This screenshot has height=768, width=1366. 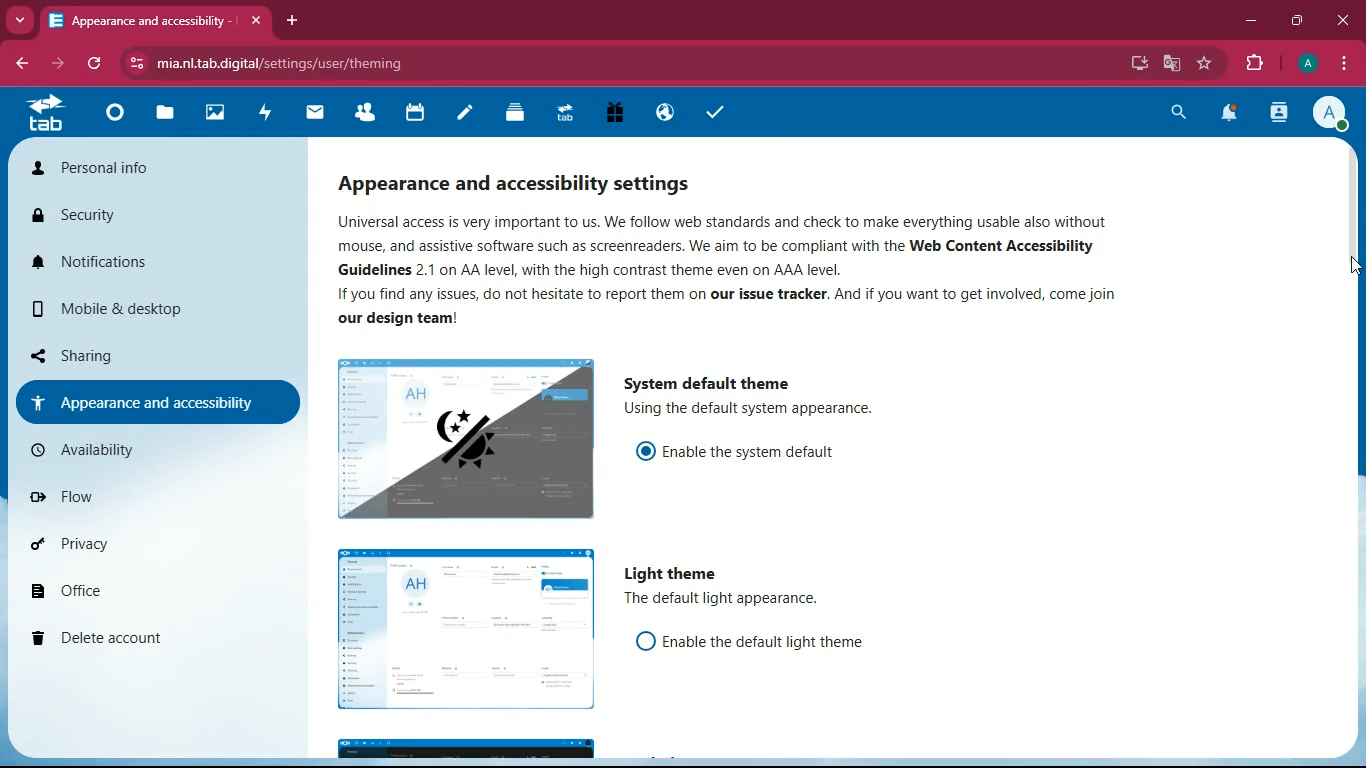 What do you see at coordinates (367, 114) in the screenshot?
I see `friends` at bounding box center [367, 114].